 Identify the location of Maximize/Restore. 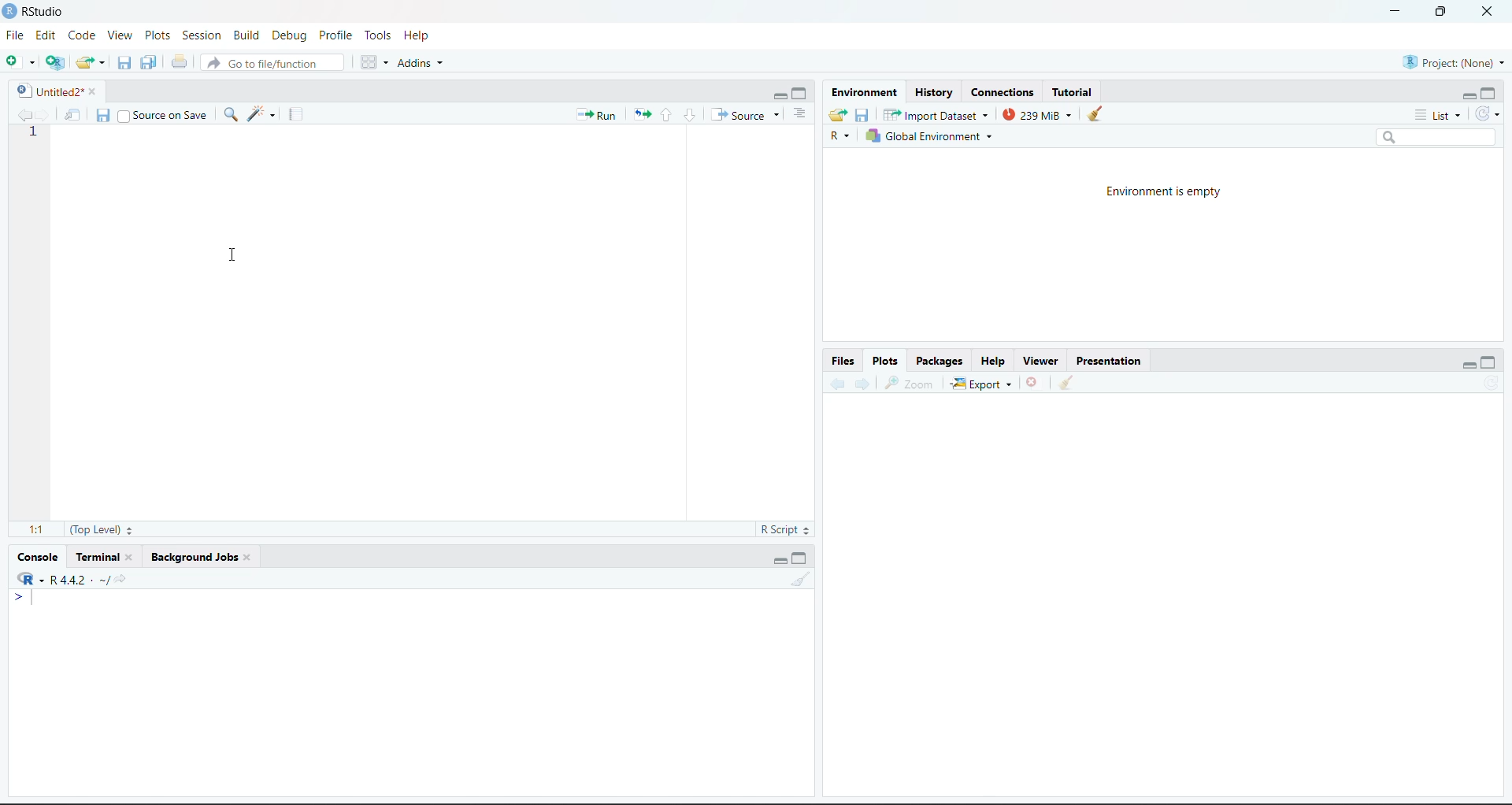
(1440, 12).